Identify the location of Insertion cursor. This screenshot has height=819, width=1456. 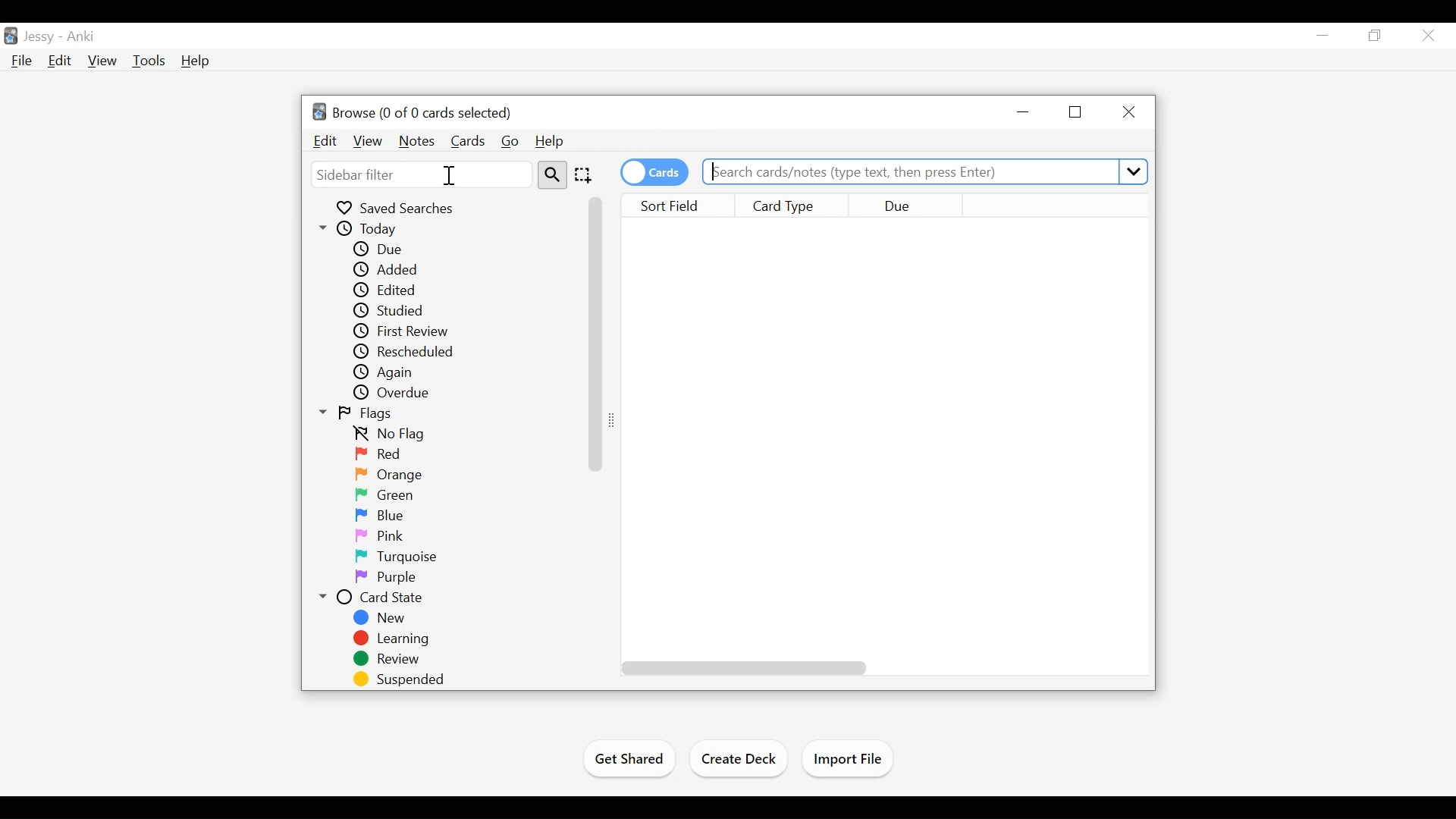
(449, 175).